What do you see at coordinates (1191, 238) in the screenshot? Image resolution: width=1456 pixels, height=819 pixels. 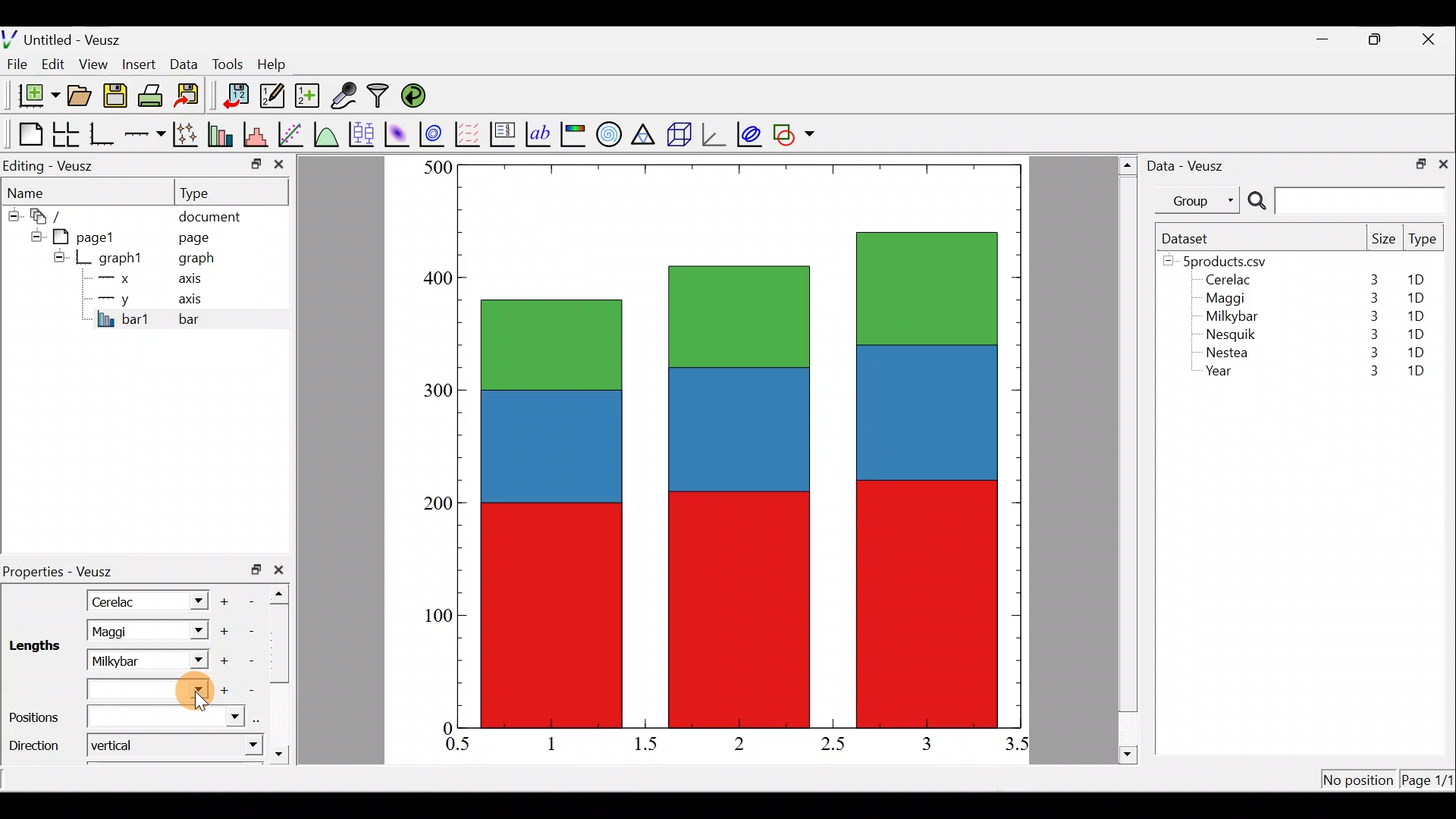 I see `Dataset` at bounding box center [1191, 238].